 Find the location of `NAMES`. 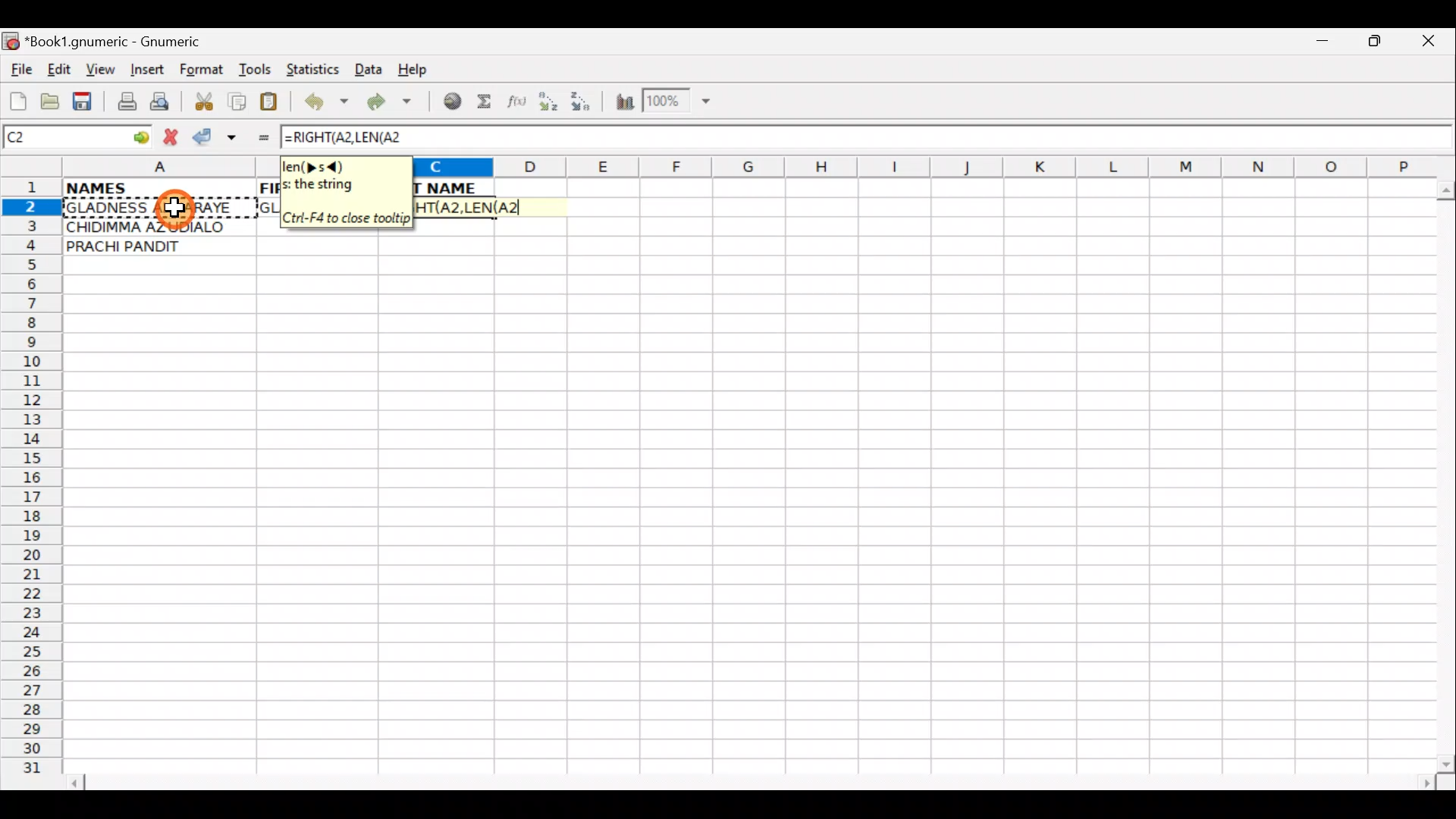

NAMES is located at coordinates (142, 187).